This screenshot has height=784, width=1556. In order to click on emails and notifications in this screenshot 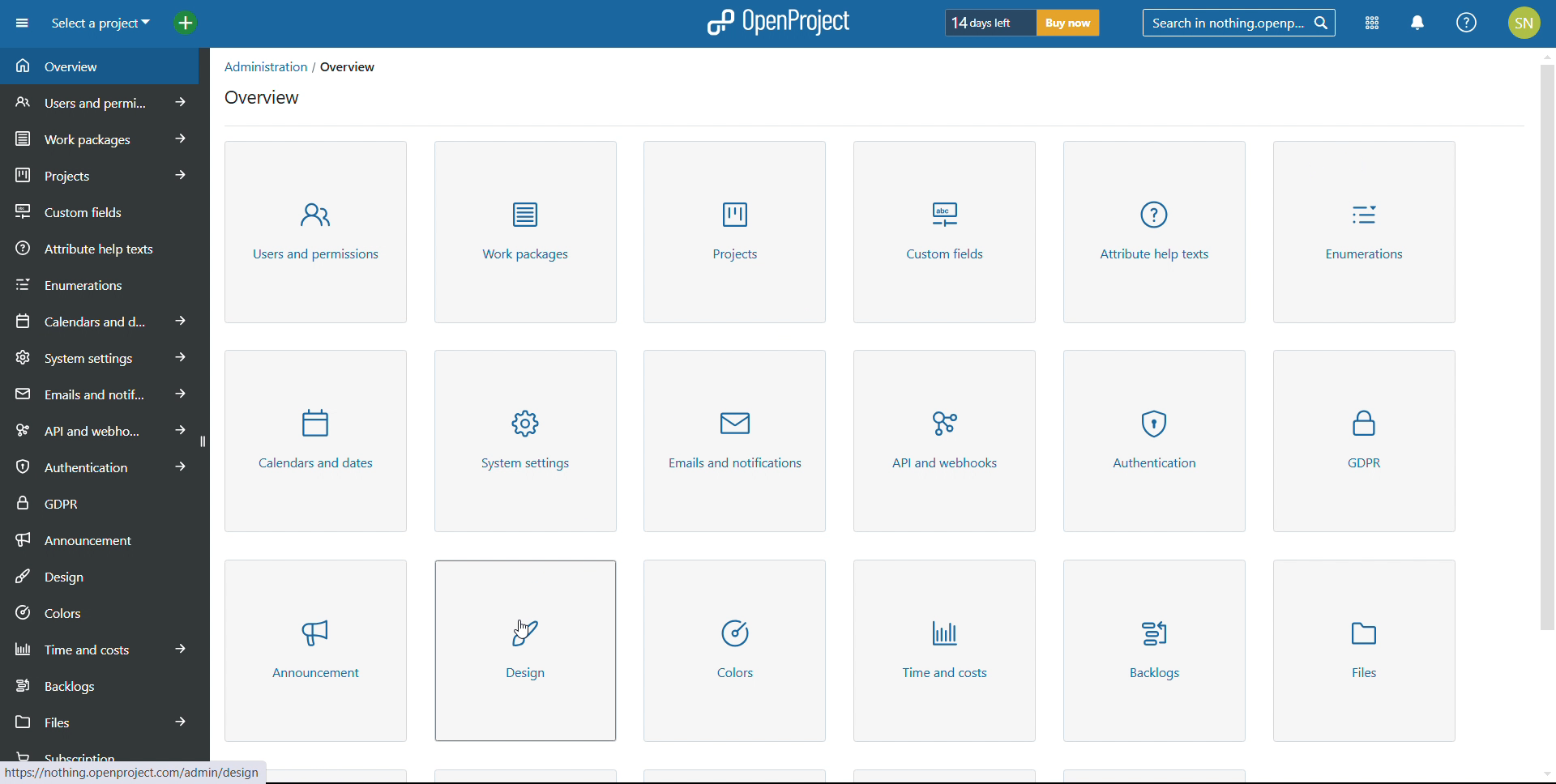, I will do `click(101, 393)`.